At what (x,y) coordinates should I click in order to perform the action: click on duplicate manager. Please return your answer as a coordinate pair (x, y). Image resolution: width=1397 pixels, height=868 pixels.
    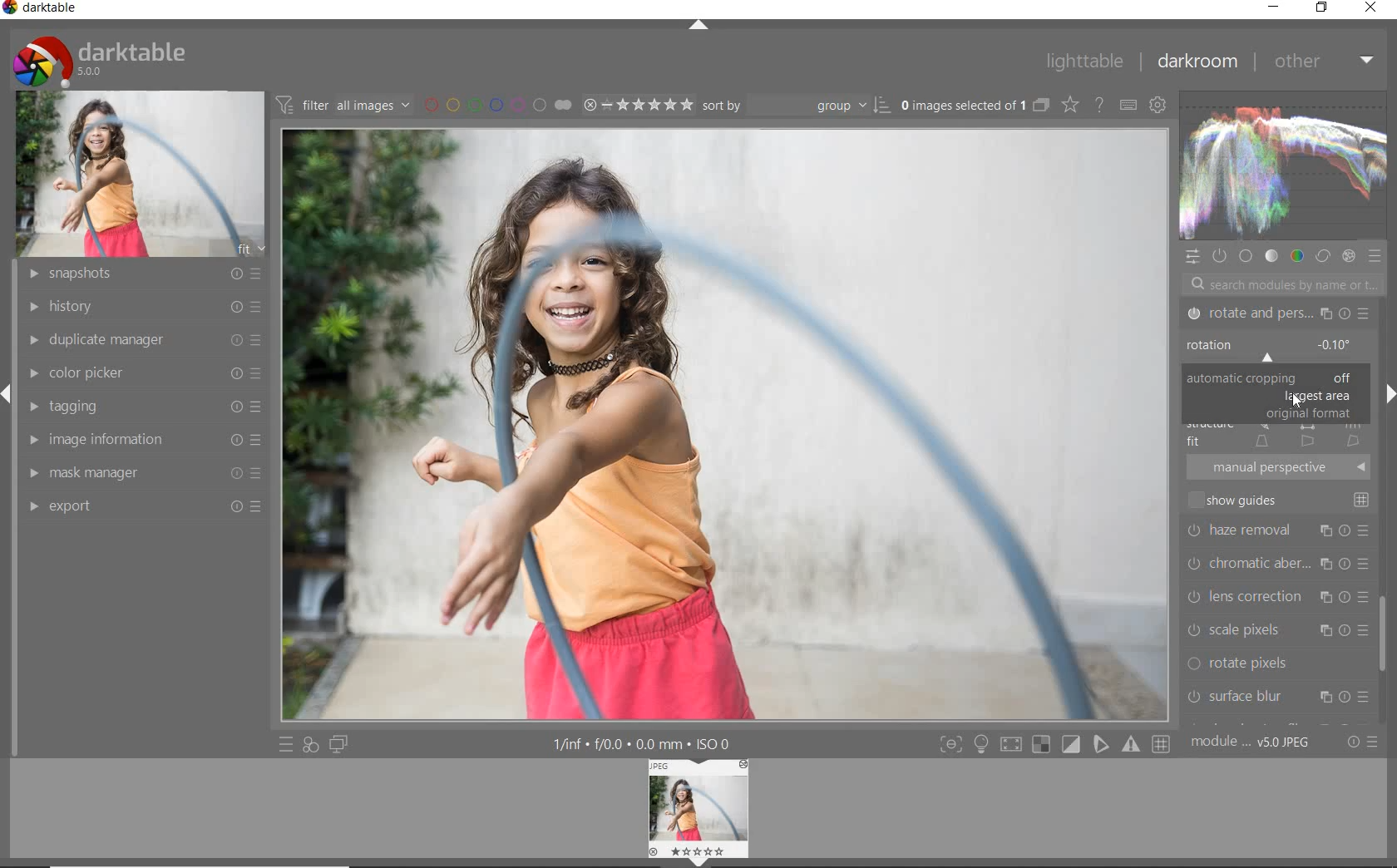
    Looking at the image, I should click on (146, 340).